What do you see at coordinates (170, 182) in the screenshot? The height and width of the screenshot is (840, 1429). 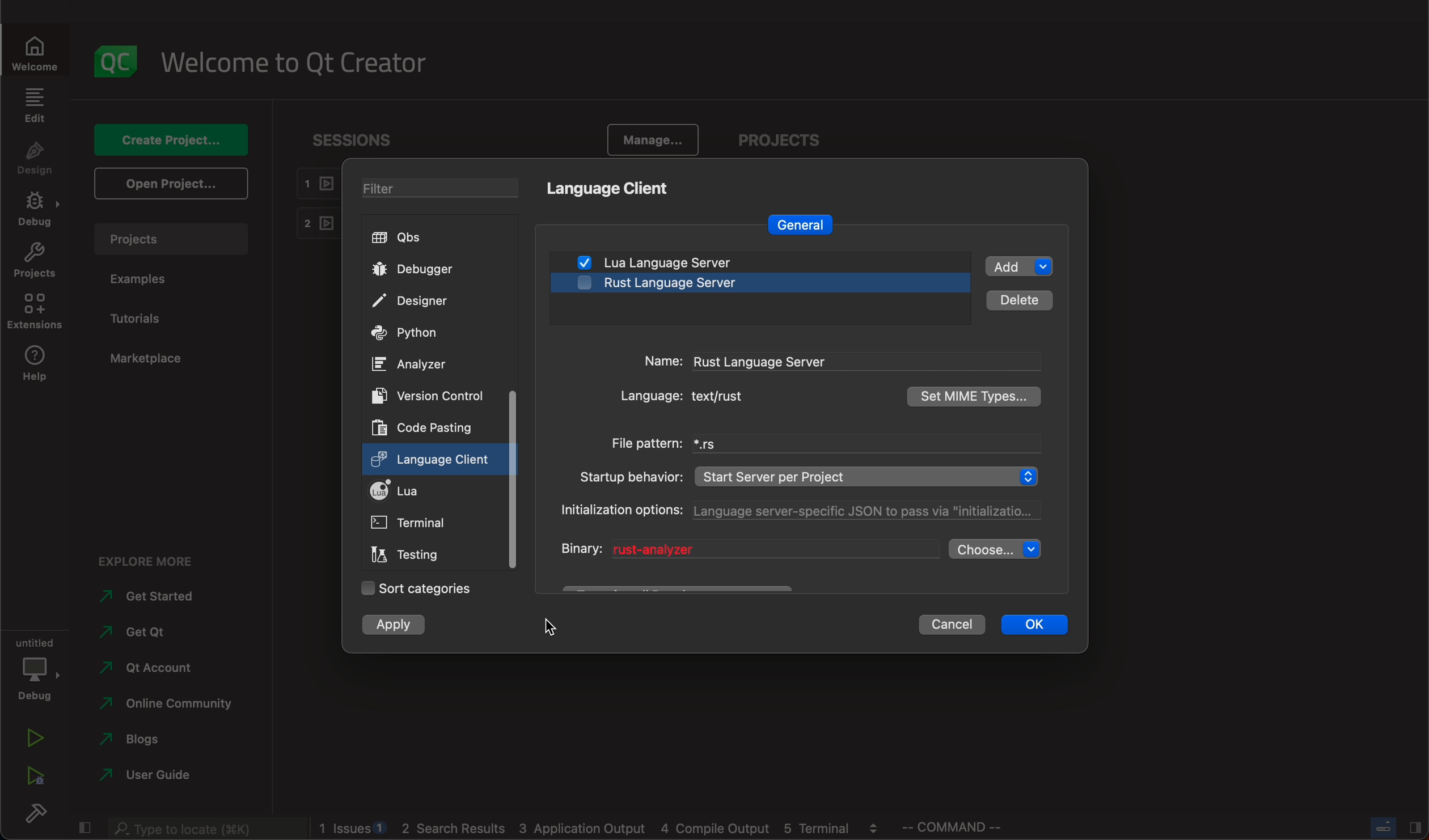 I see `open` at bounding box center [170, 182].